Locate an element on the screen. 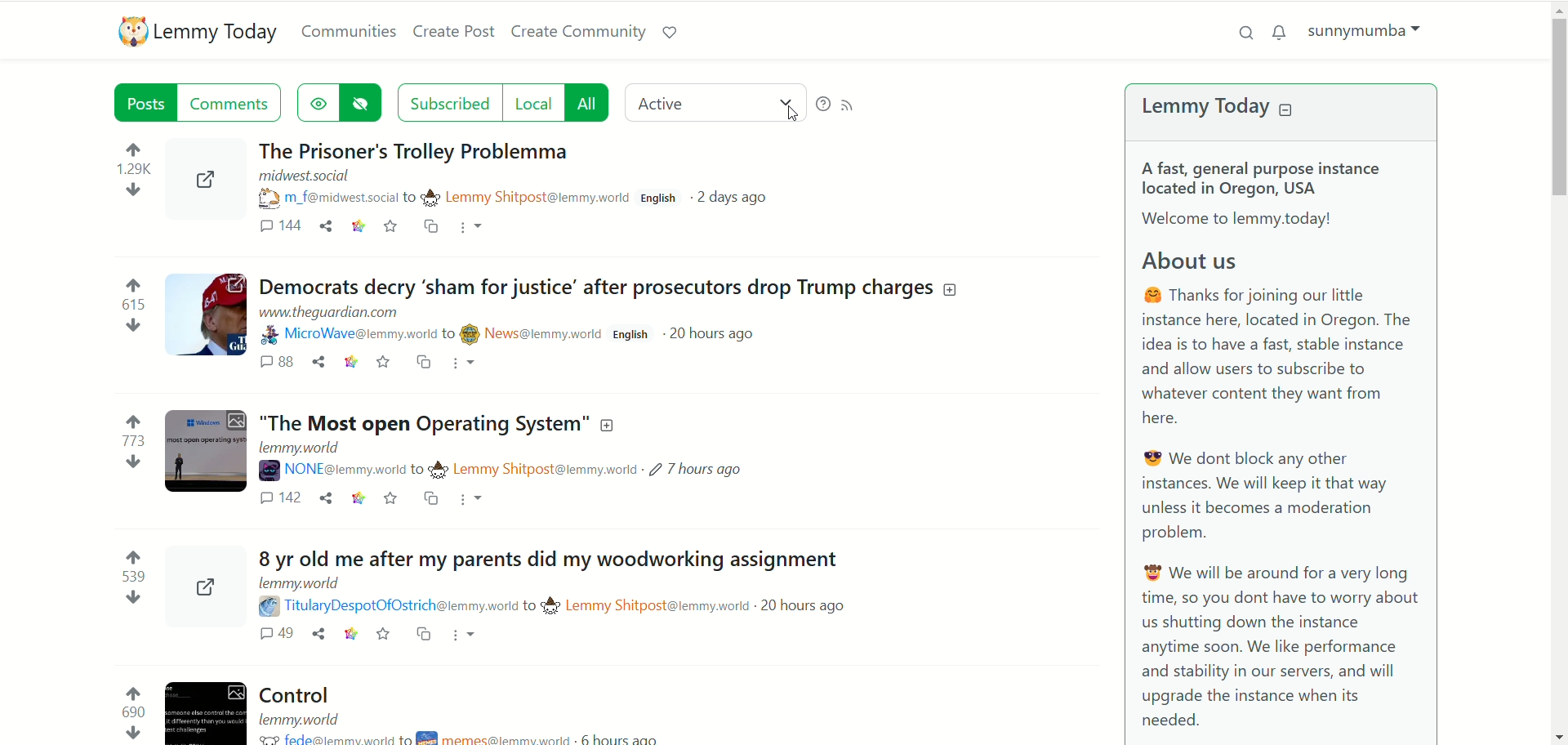 Image resolution: width=1568 pixels, height=745 pixels. "The Most open Operating System" is located at coordinates (444, 423).